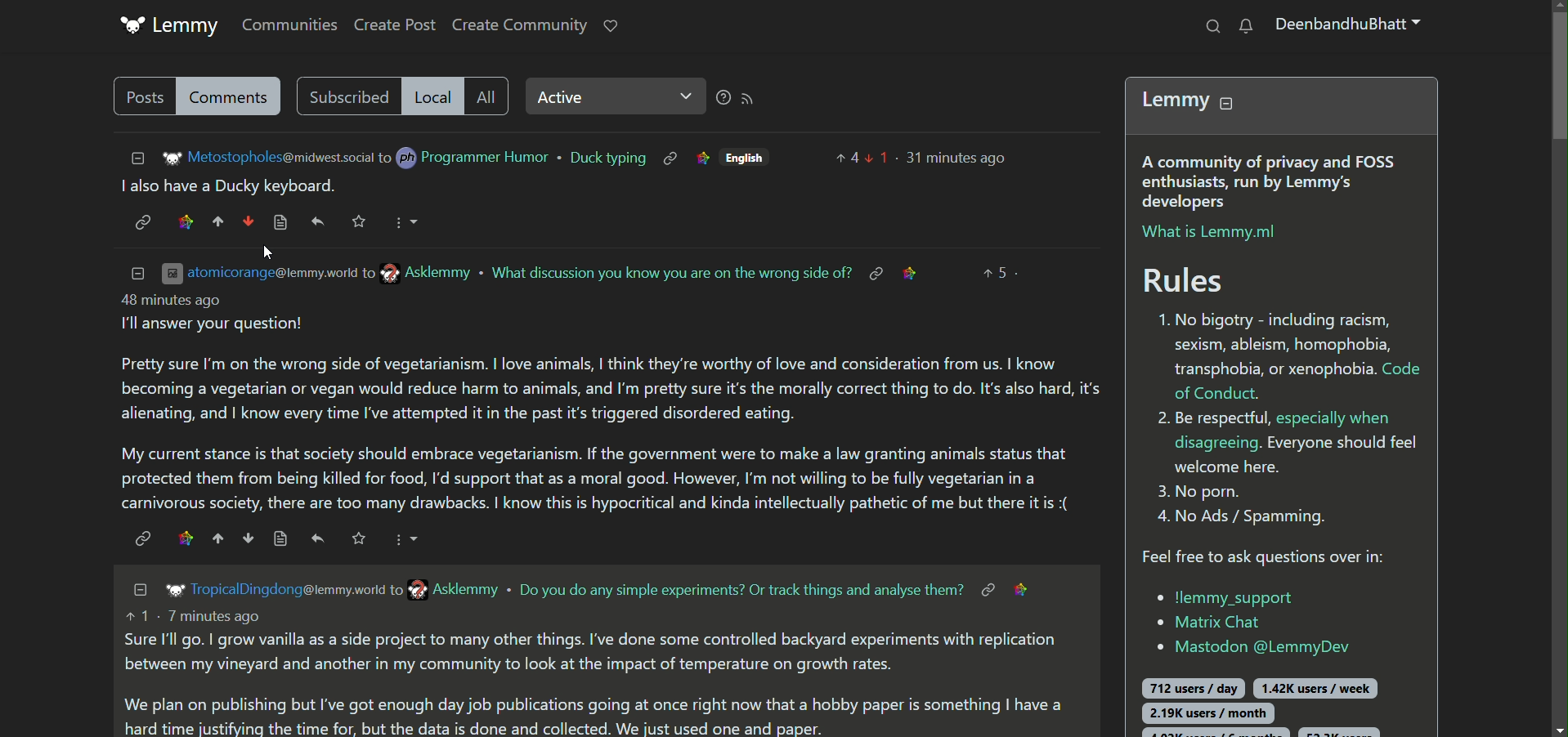  I want to click on text, so click(134, 187).